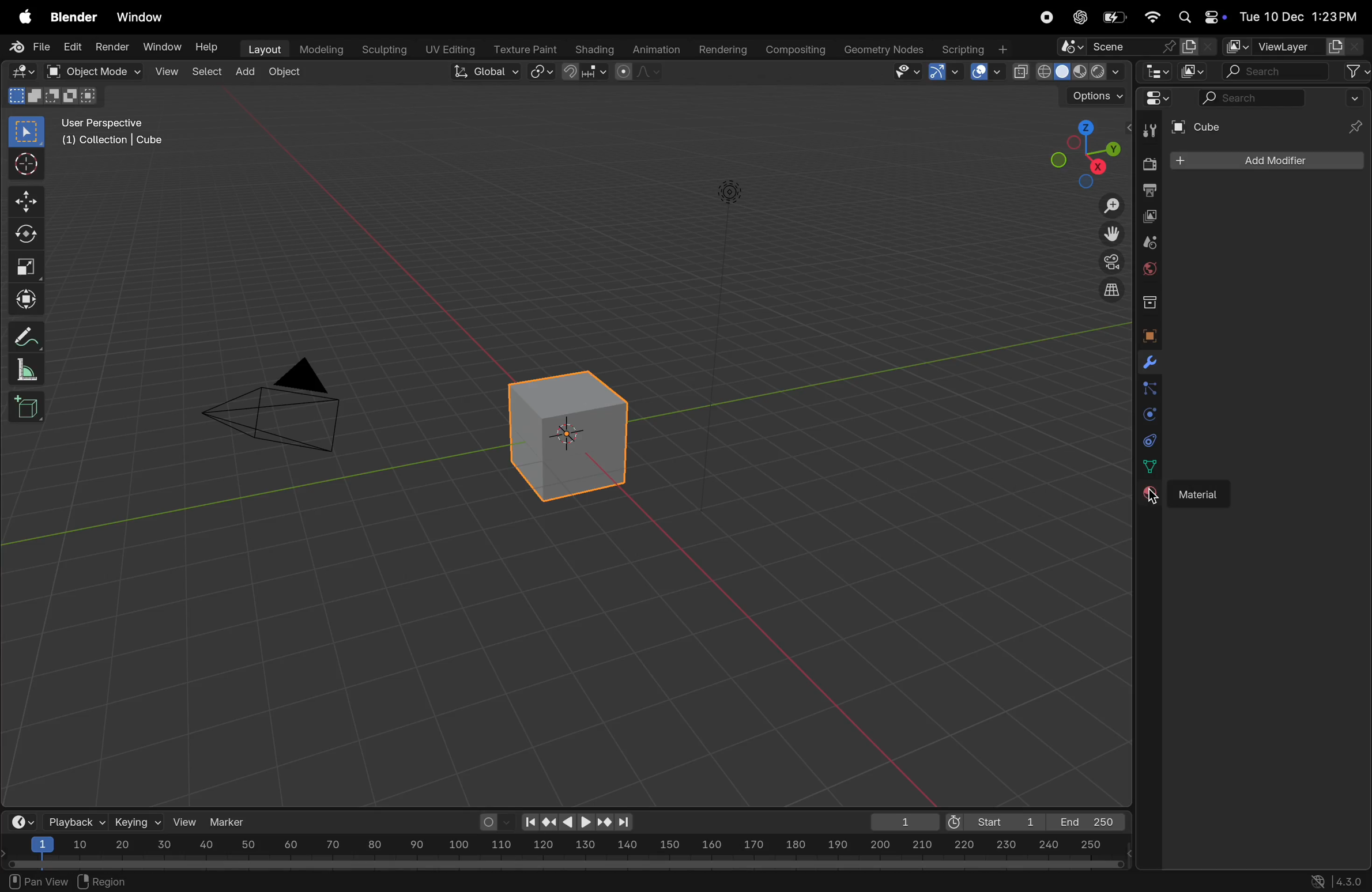  Describe the element at coordinates (1199, 17) in the screenshot. I see `apple widgets` at that location.